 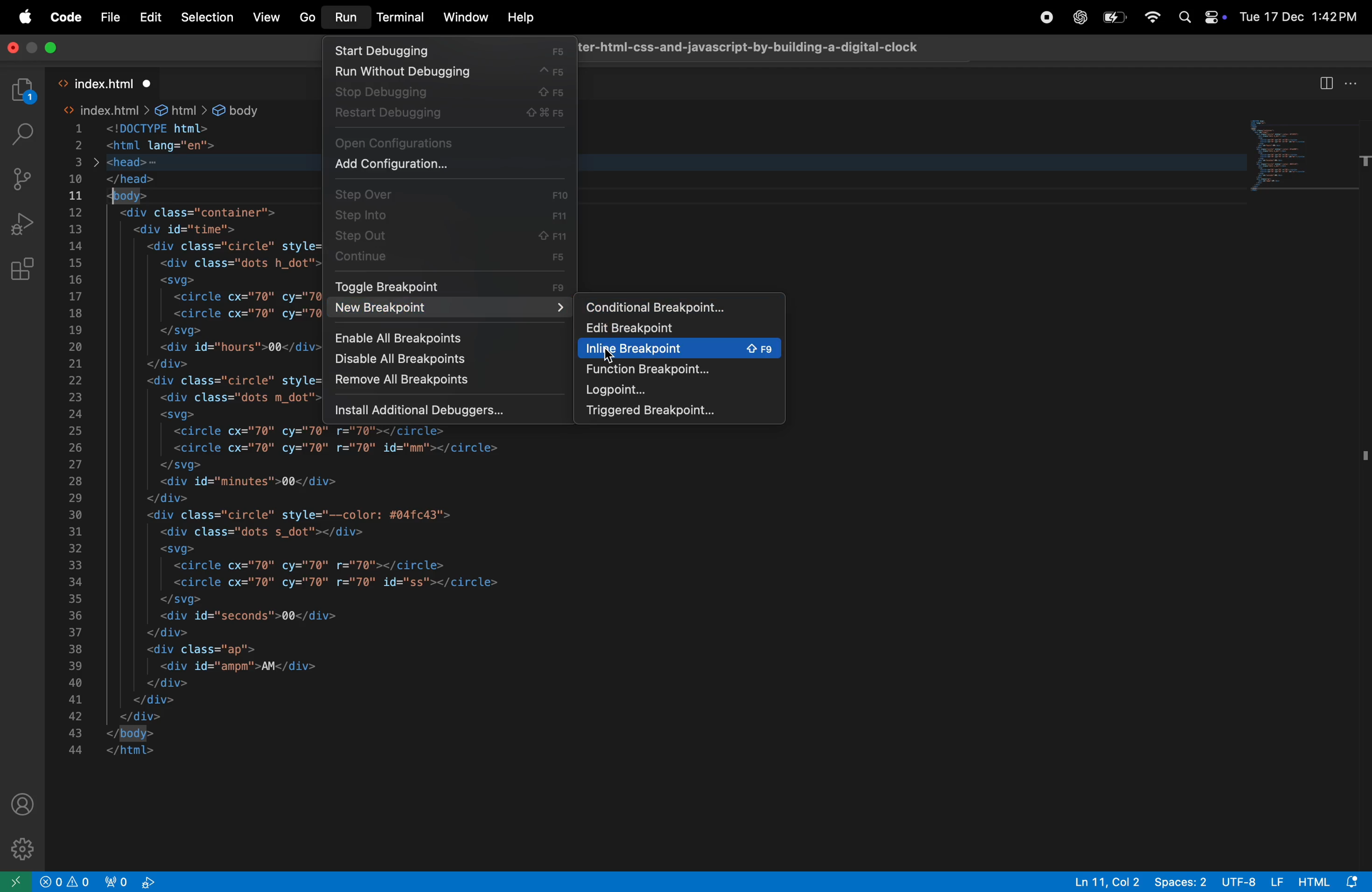 What do you see at coordinates (449, 116) in the screenshot?
I see `restart debugging` at bounding box center [449, 116].